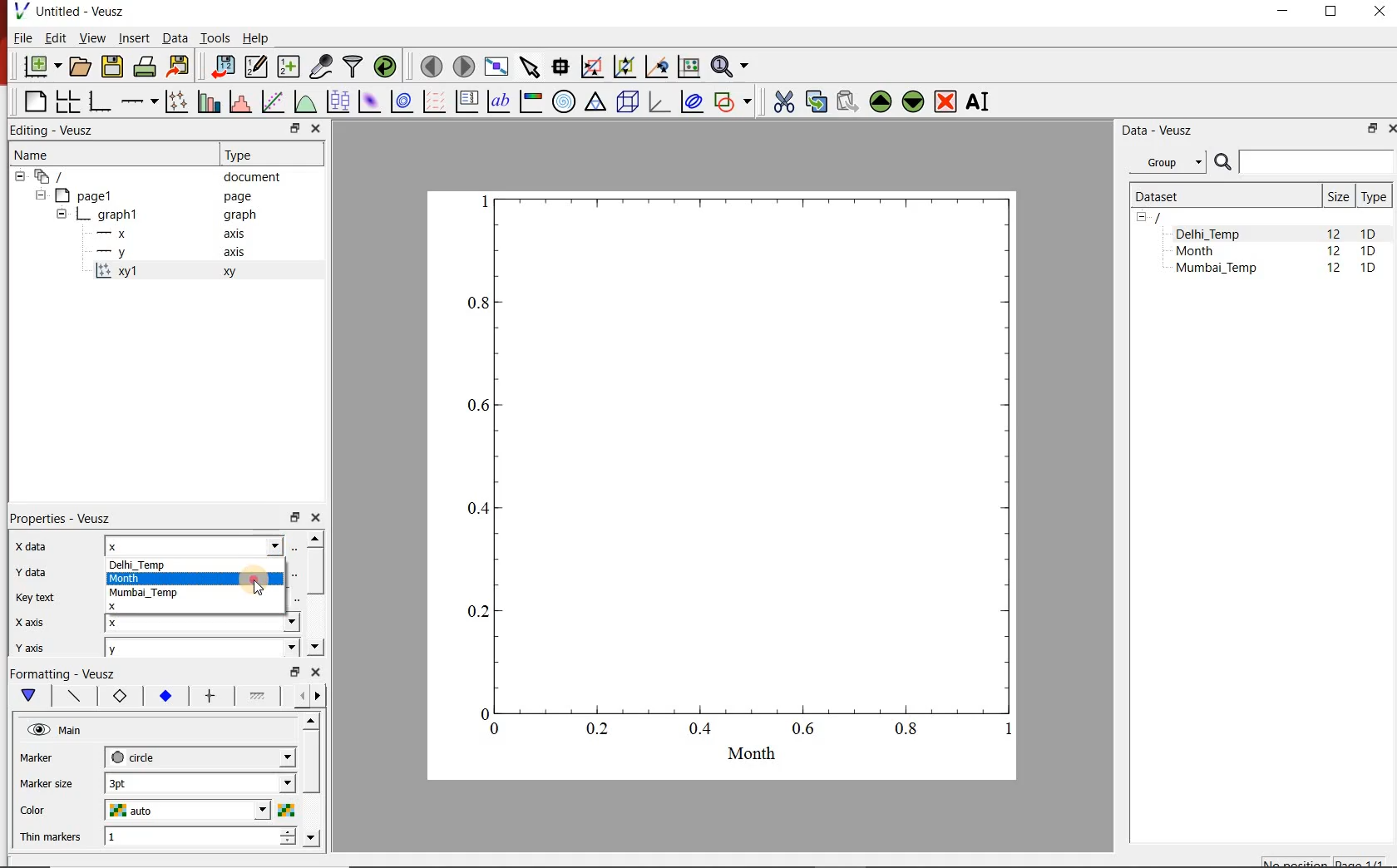  Describe the element at coordinates (201, 649) in the screenshot. I see `y` at that location.